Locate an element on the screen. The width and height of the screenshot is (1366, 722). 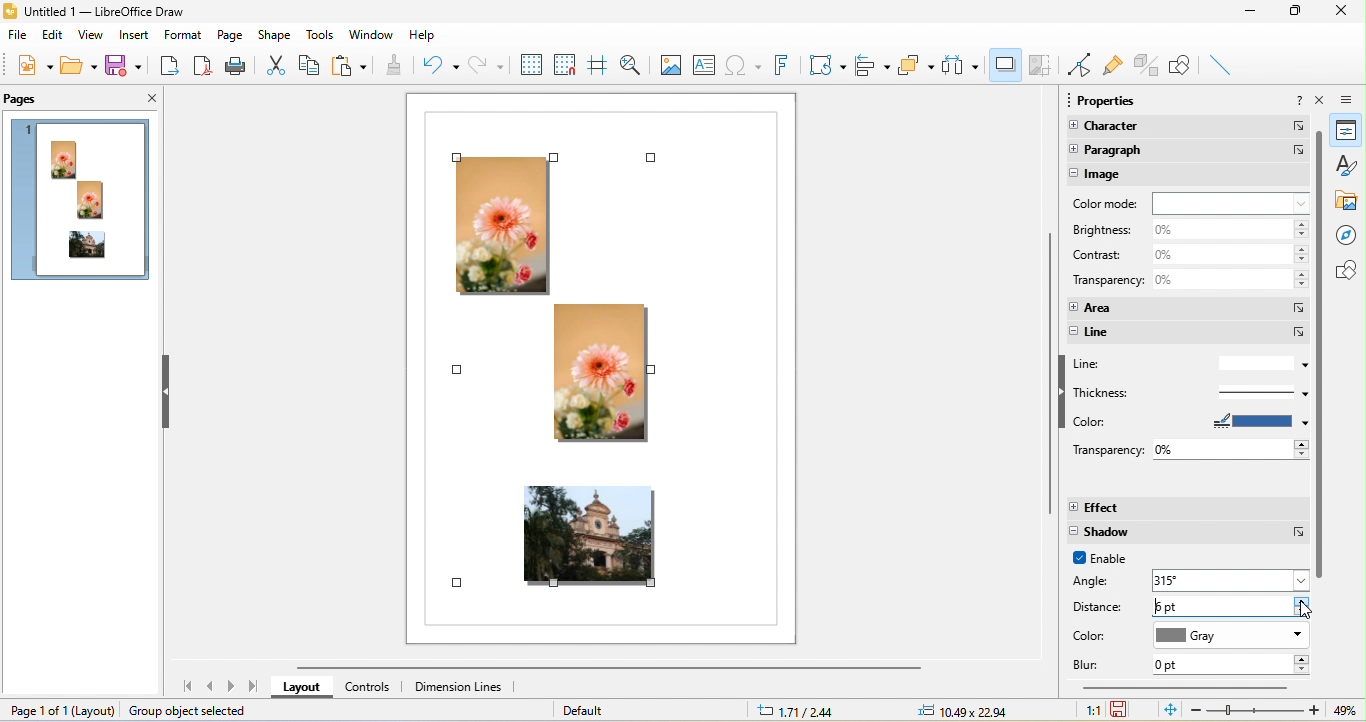
color is located at coordinates (1098, 636).